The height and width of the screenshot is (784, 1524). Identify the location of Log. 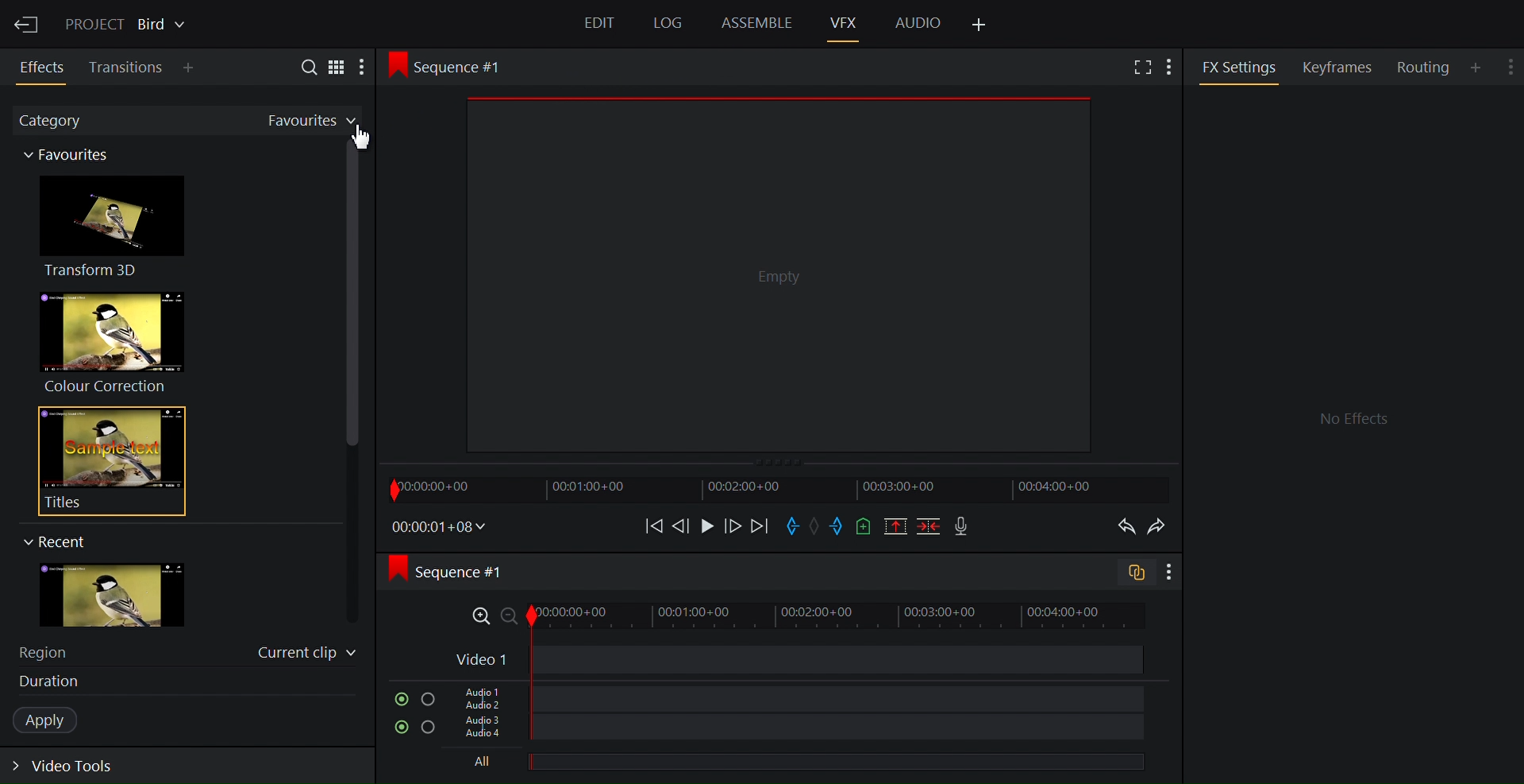
(665, 24).